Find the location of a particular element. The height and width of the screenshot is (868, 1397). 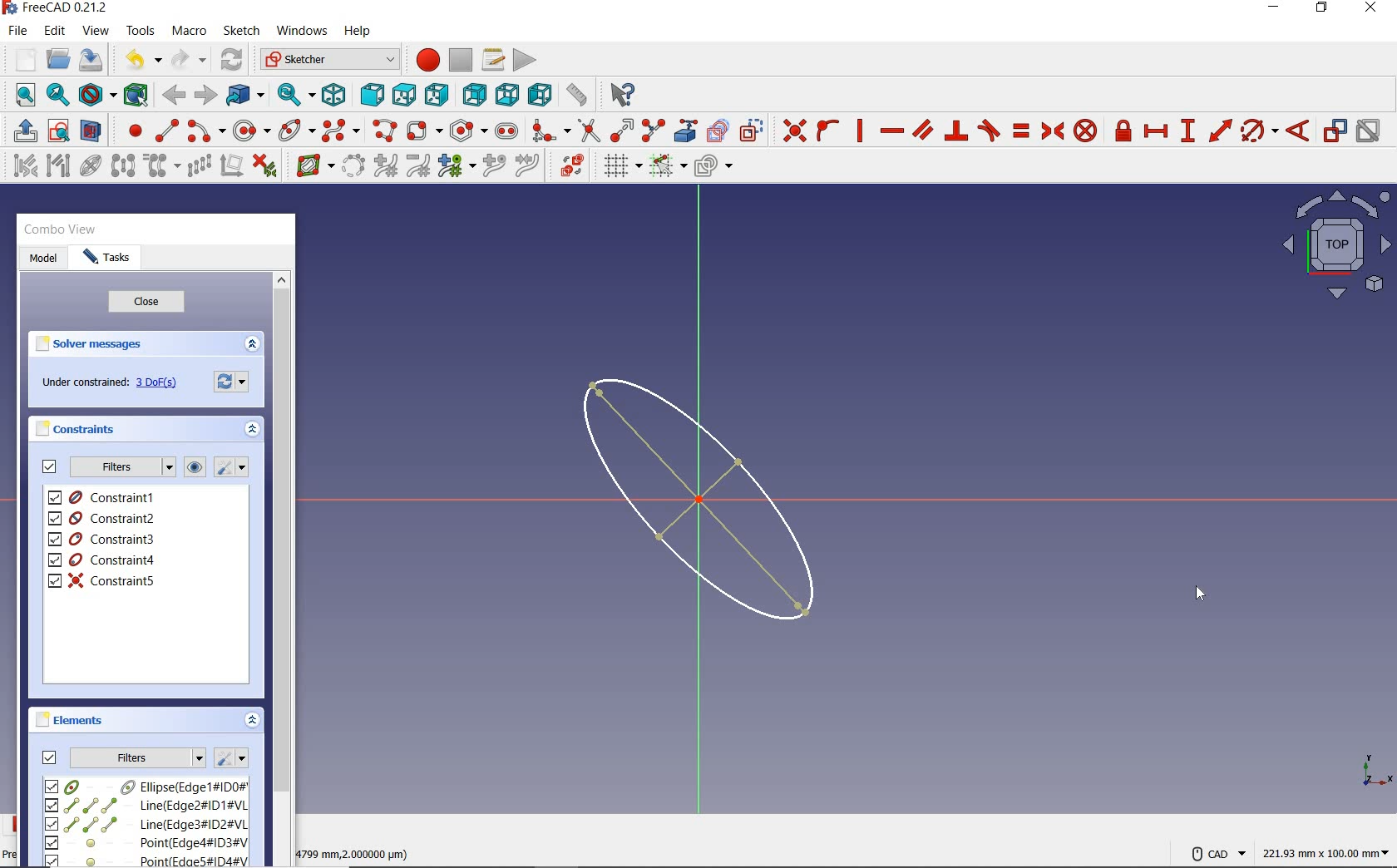

combo view is located at coordinates (61, 229).